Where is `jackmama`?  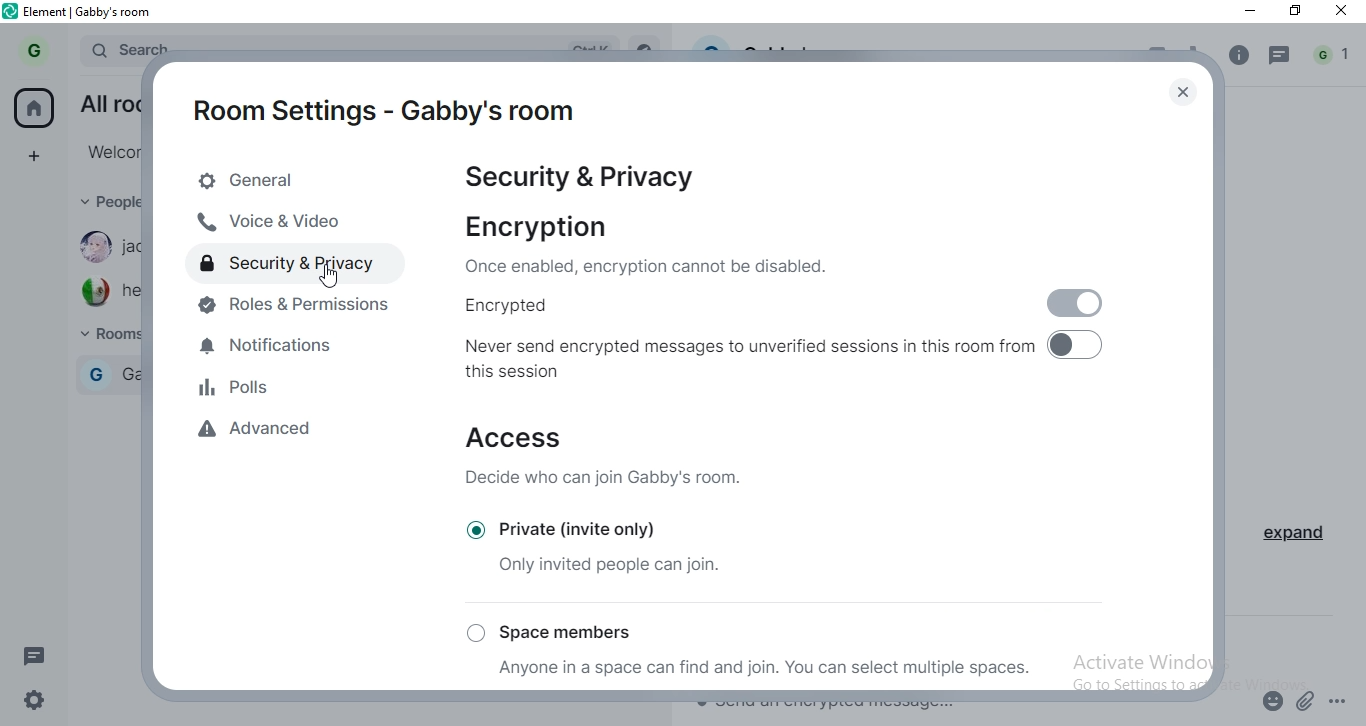 jackmama is located at coordinates (133, 246).